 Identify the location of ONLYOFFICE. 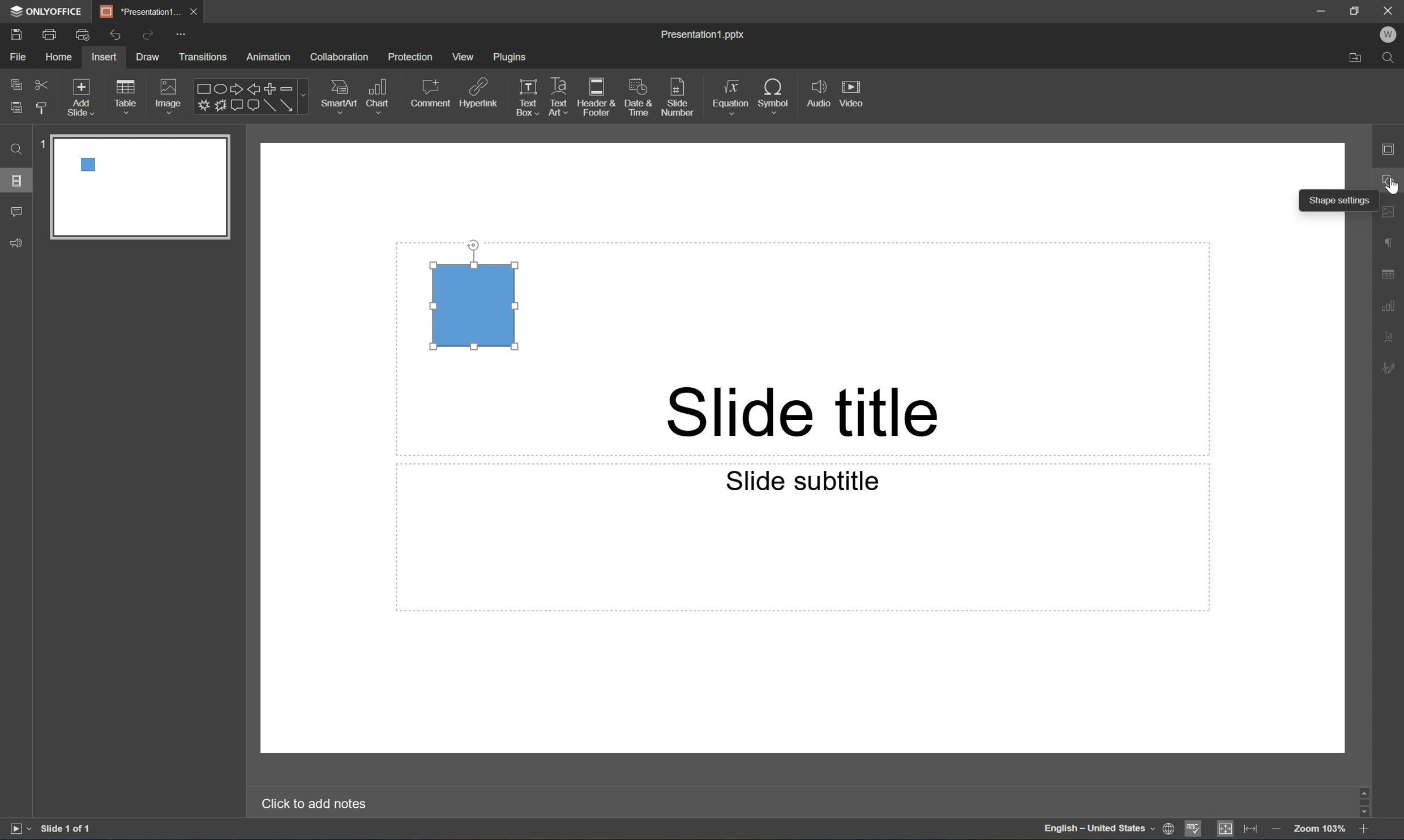
(48, 11).